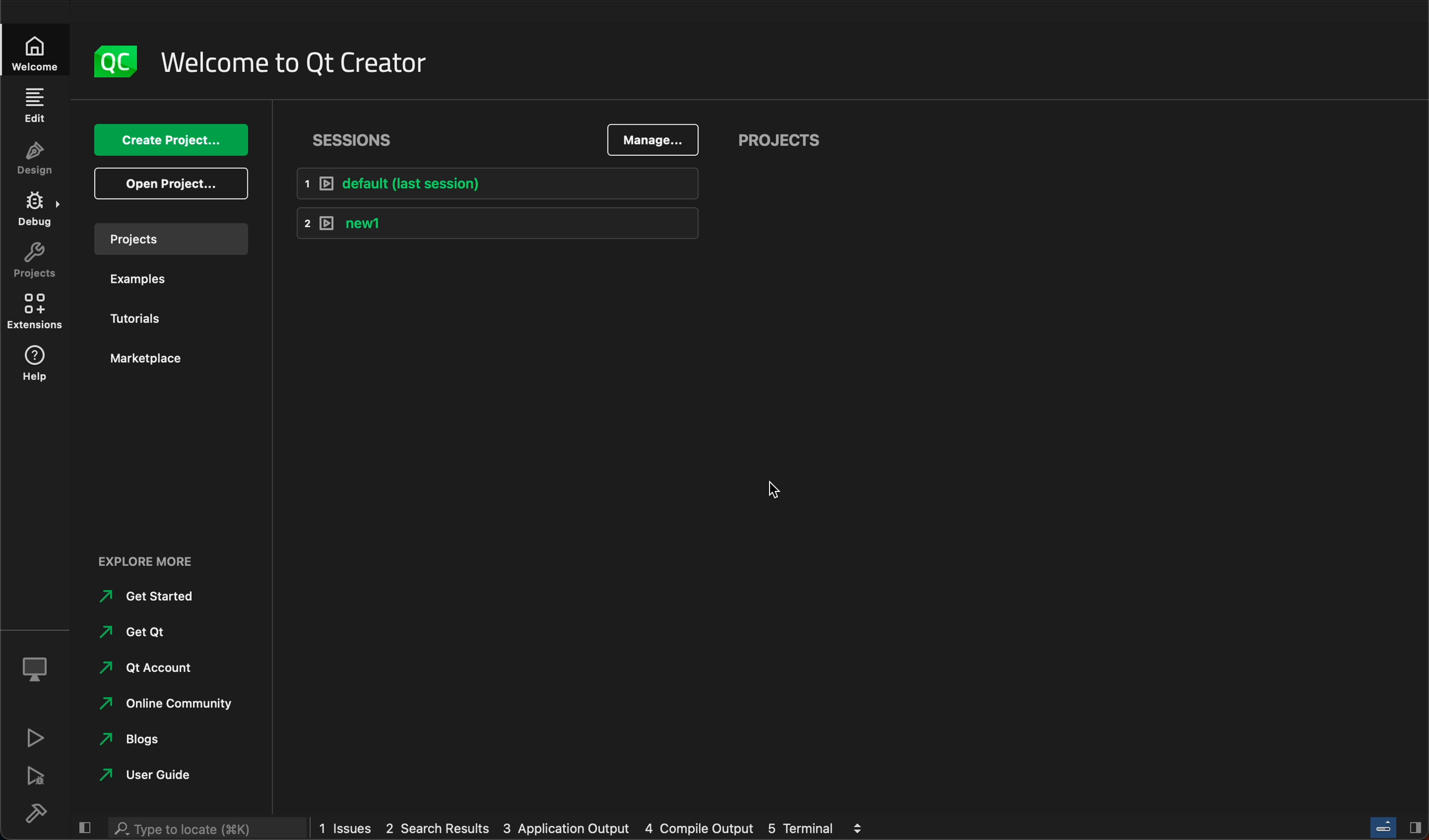 The image size is (1429, 840). Describe the element at coordinates (166, 237) in the screenshot. I see `projects` at that location.